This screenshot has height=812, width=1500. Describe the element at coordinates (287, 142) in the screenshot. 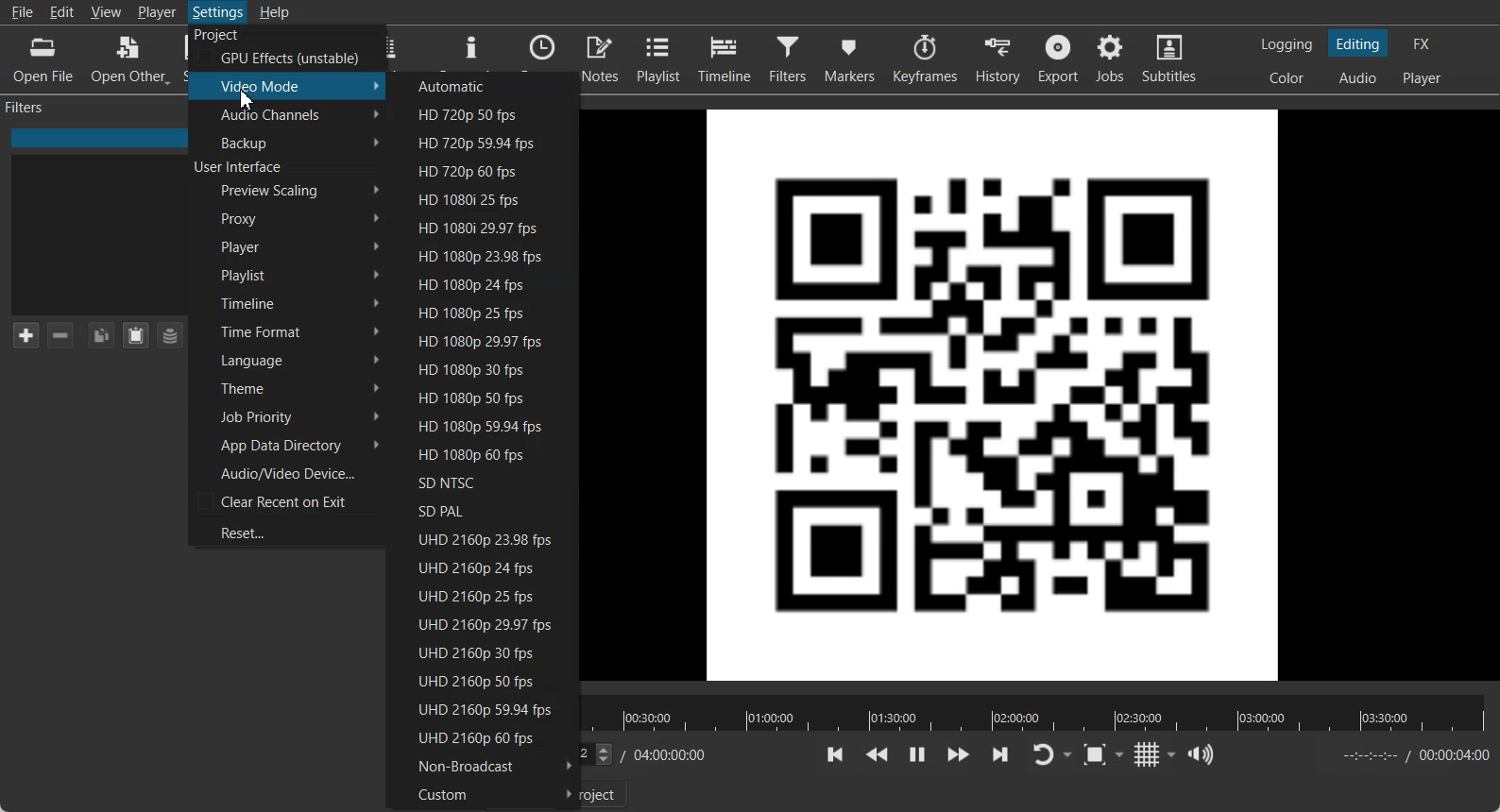

I see `Backup` at that location.